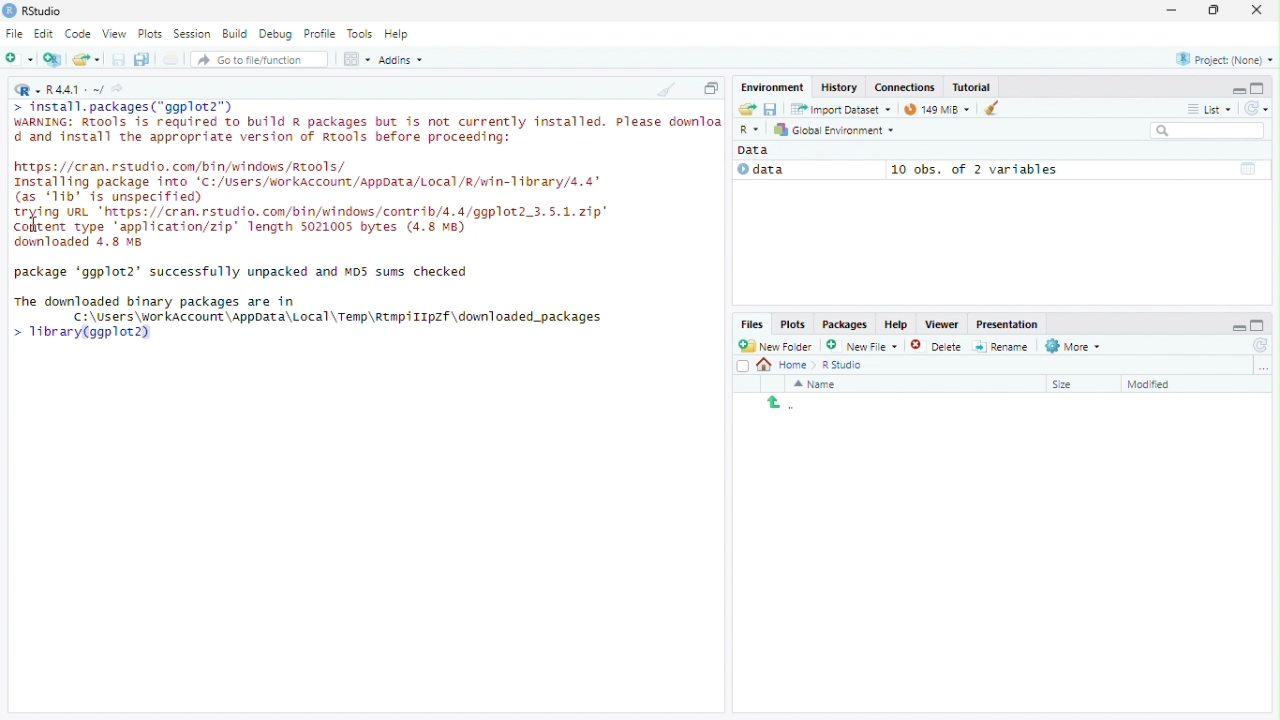 This screenshot has width=1280, height=720. What do you see at coordinates (862, 345) in the screenshot?
I see `Create new file` at bounding box center [862, 345].